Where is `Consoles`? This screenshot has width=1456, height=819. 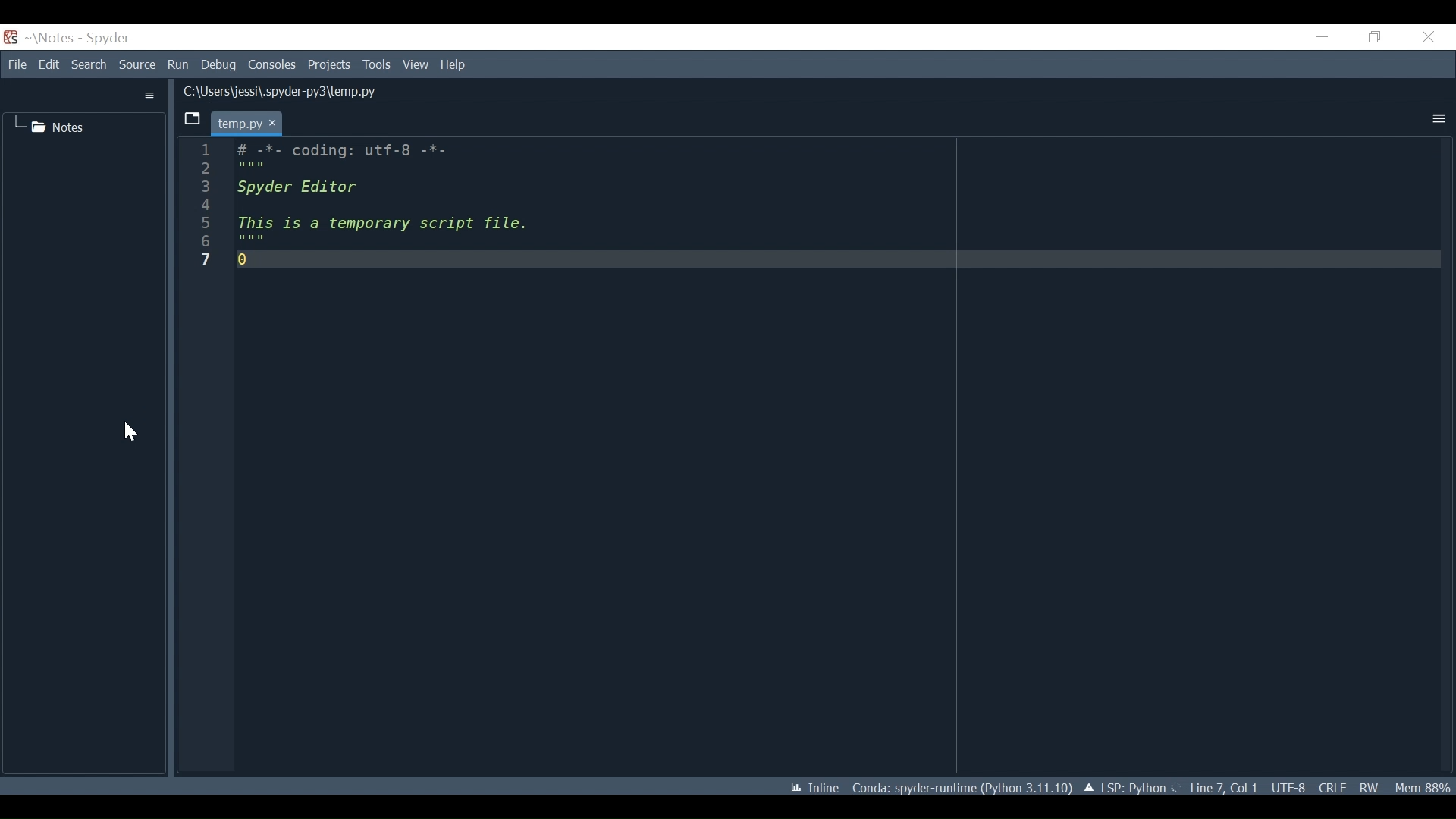 Consoles is located at coordinates (271, 66).